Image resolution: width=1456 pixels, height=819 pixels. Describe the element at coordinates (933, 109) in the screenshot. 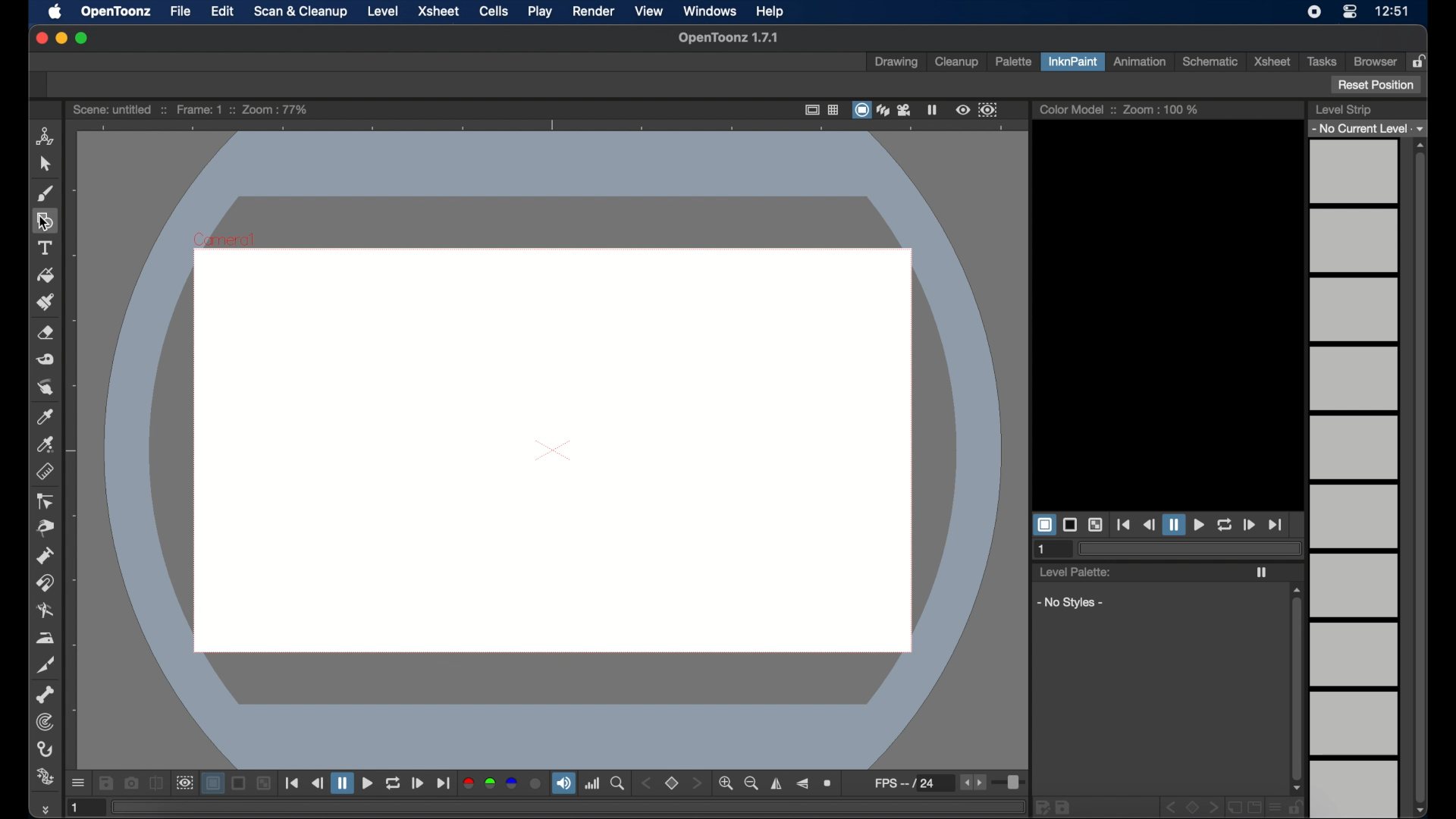

I see `freeze` at that location.